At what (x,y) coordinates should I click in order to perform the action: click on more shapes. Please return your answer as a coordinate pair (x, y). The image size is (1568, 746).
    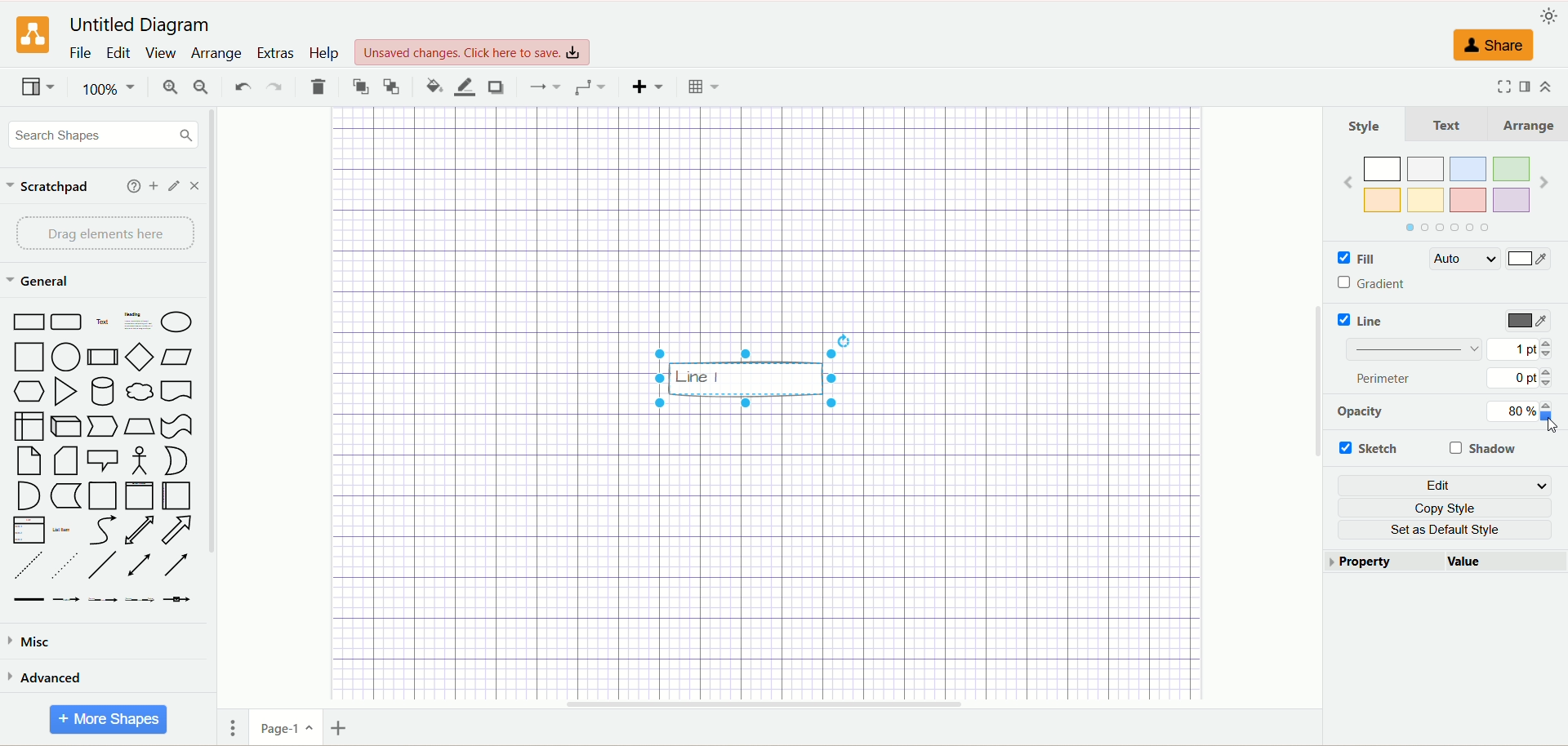
    Looking at the image, I should click on (111, 717).